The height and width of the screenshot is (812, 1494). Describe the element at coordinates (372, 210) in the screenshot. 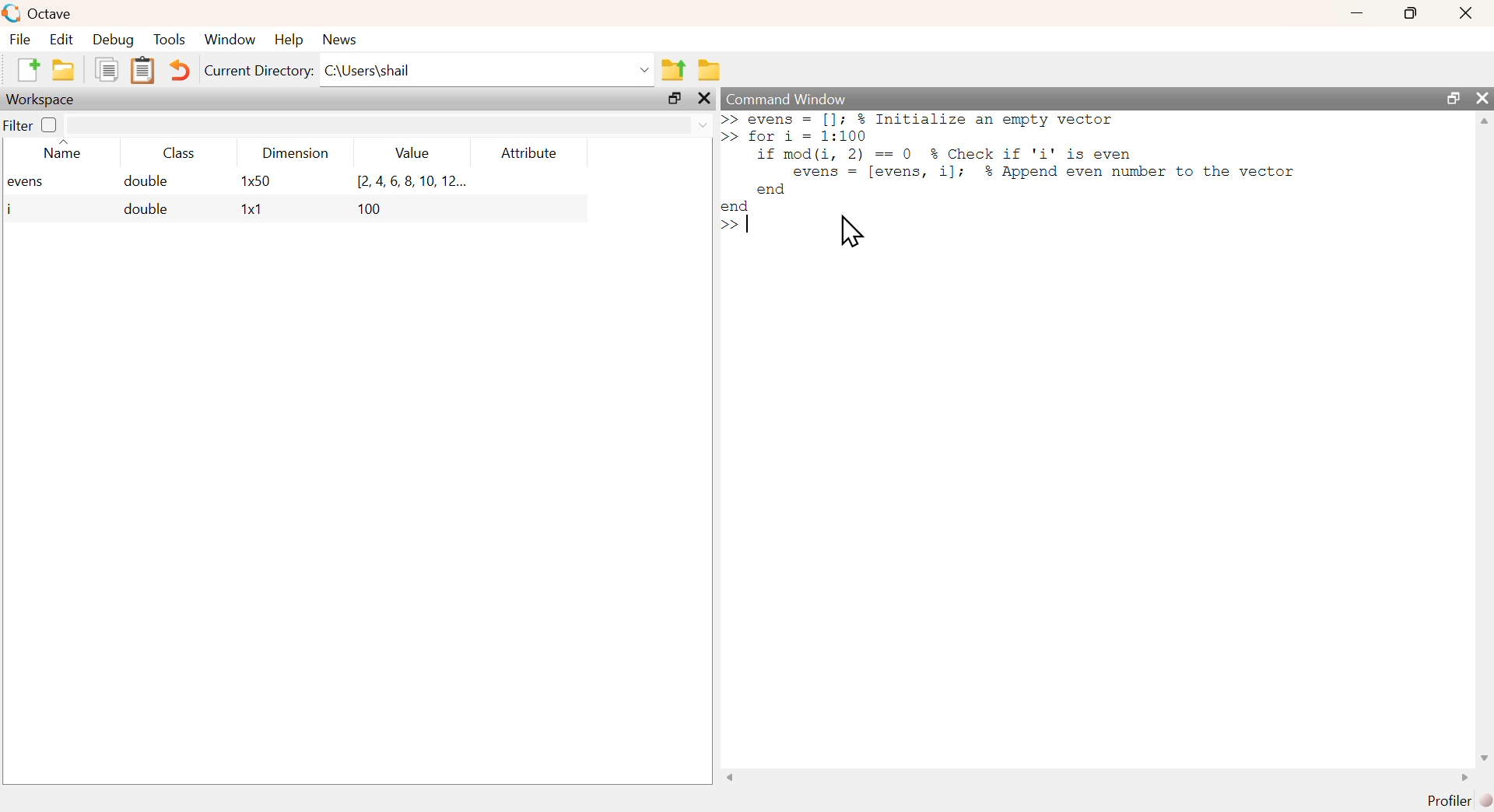

I see `100` at that location.